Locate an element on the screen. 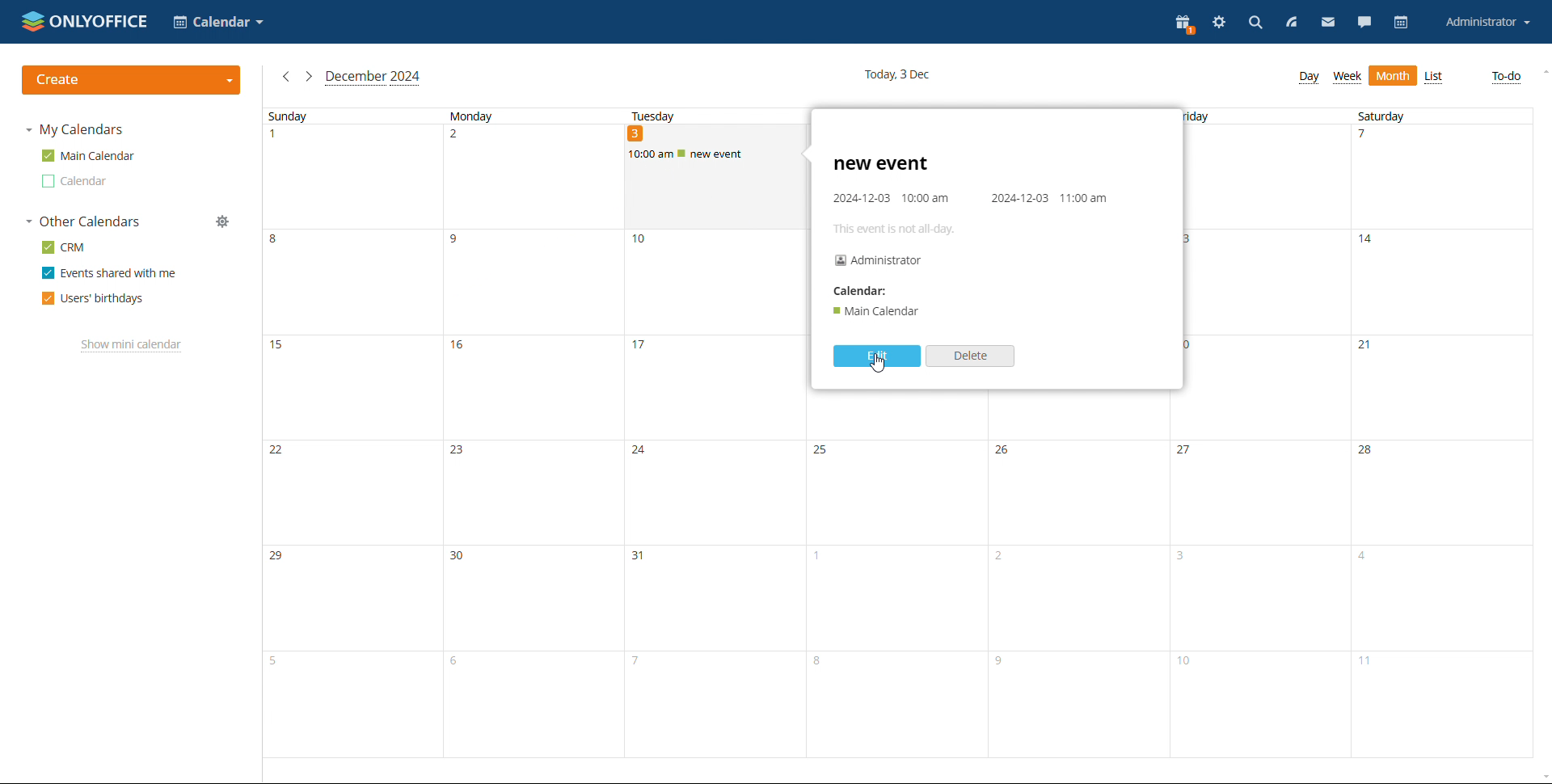 The image size is (1552, 784). This event is not all-day. is located at coordinates (896, 227).